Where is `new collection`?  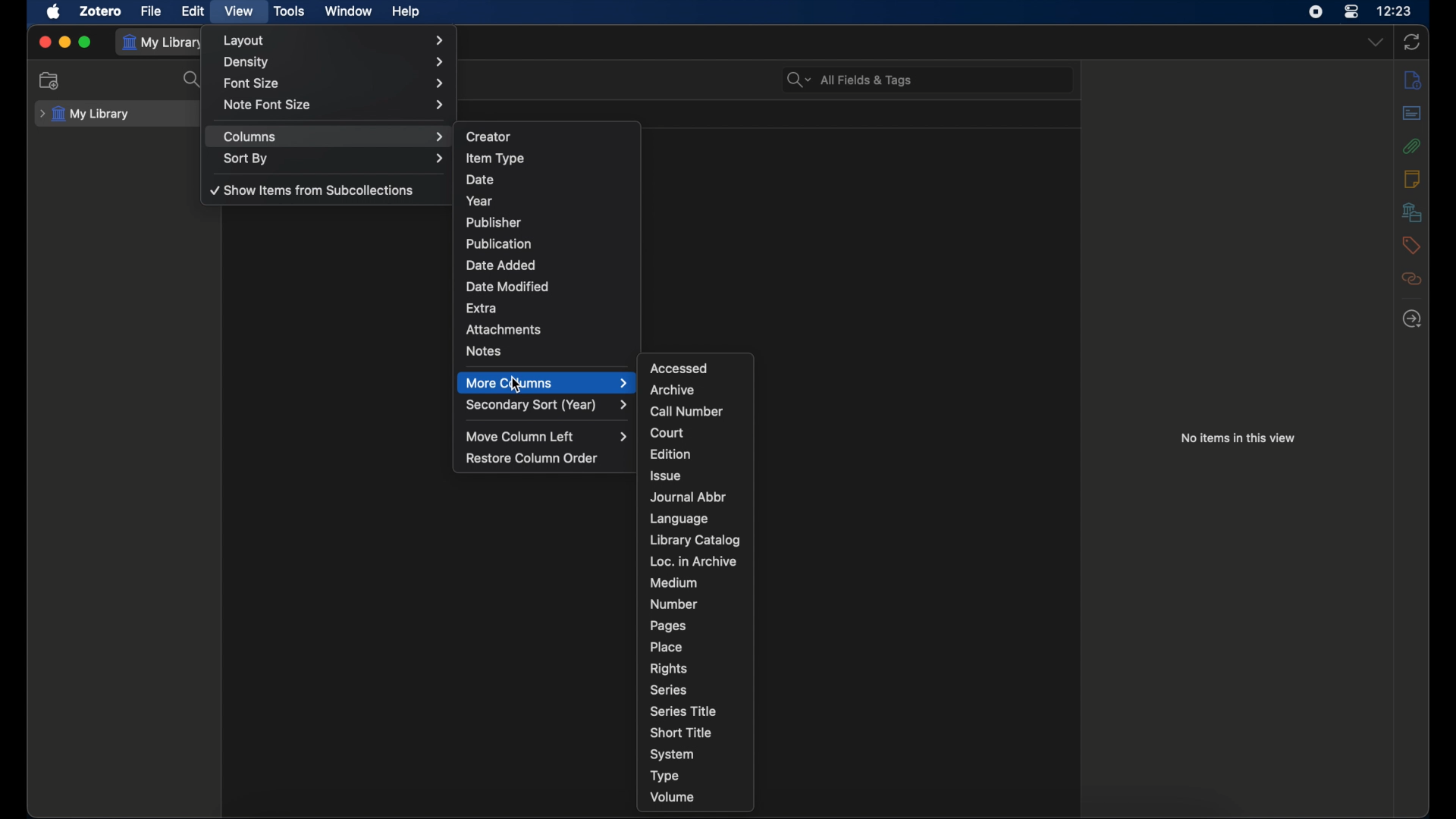
new collection is located at coordinates (49, 80).